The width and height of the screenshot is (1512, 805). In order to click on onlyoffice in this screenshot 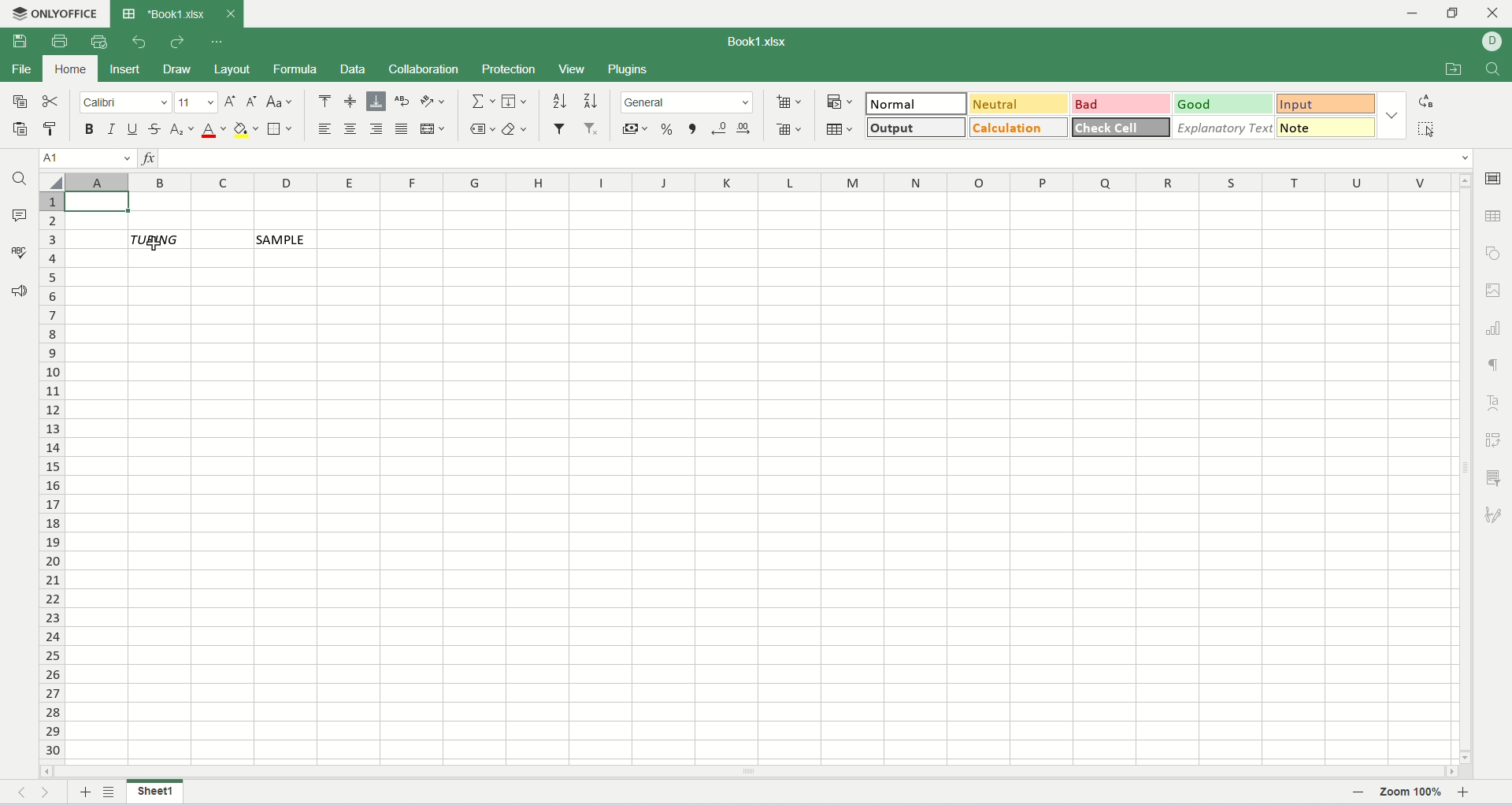, I will do `click(52, 13)`.